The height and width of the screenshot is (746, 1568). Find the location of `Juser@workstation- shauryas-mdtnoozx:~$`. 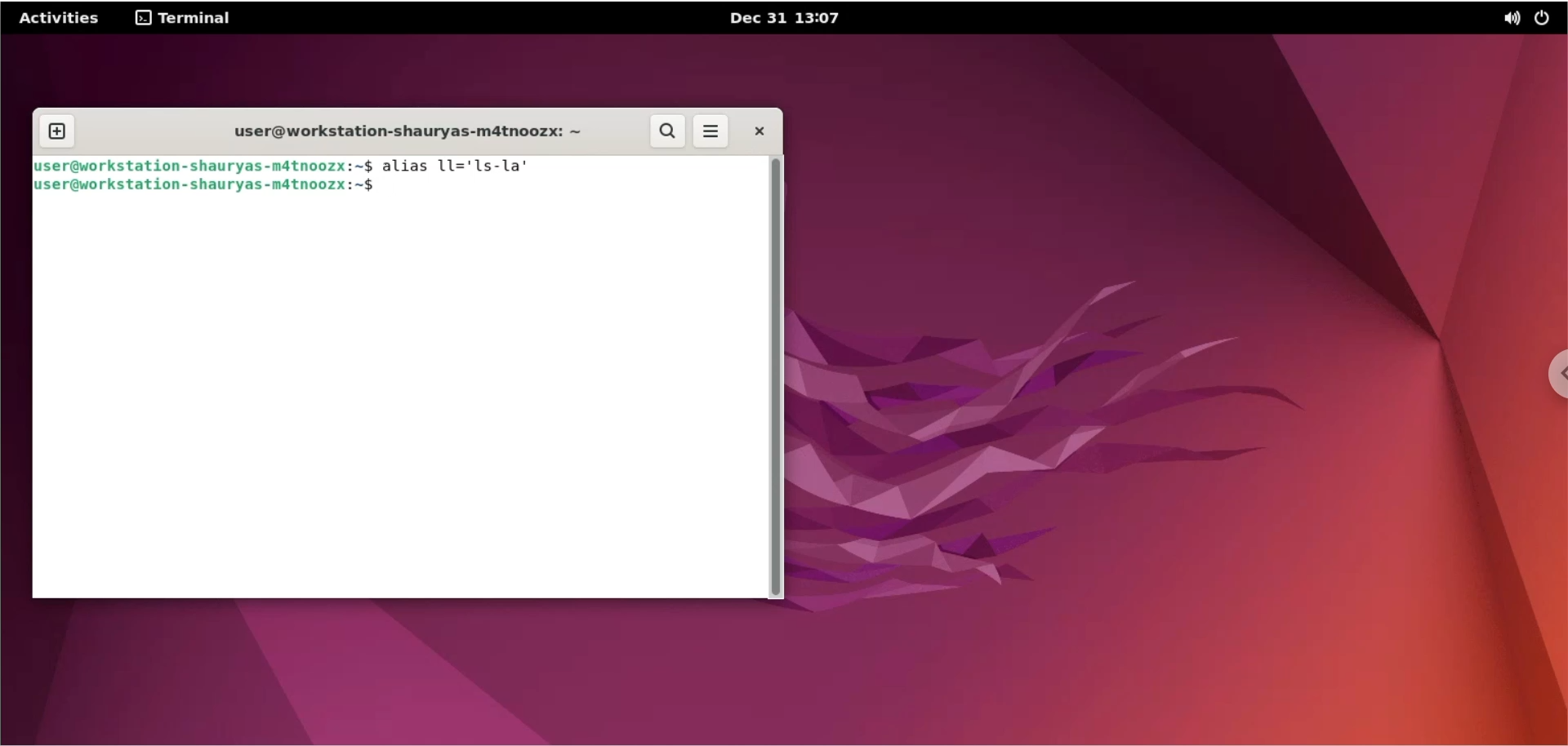

Juser@workstation- shauryas-mdtnoozx:~$ is located at coordinates (205, 167).